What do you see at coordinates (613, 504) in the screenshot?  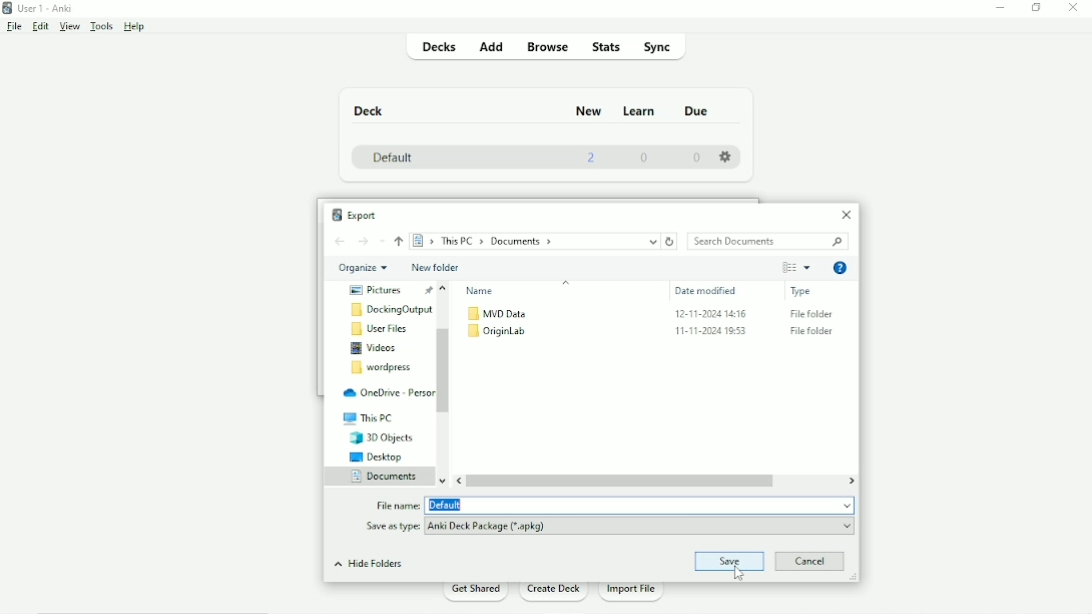 I see `File name` at bounding box center [613, 504].